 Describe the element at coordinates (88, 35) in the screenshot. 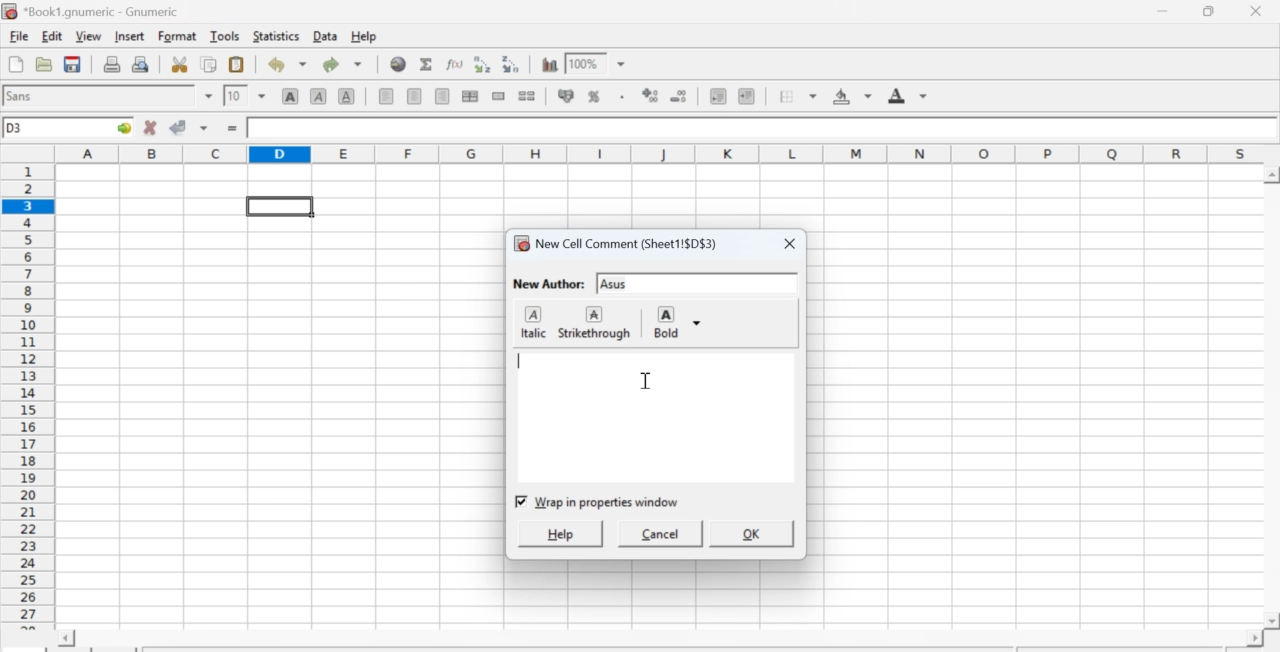

I see `View` at that location.